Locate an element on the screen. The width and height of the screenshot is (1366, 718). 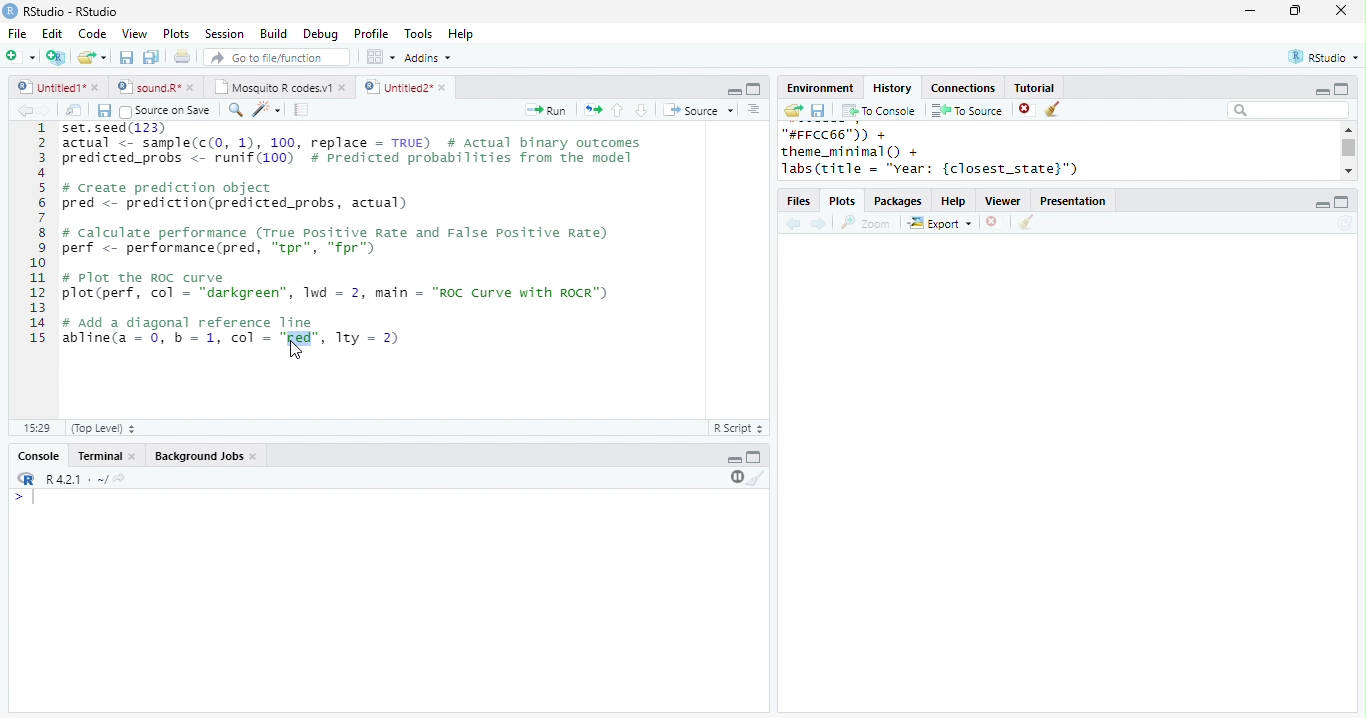
close is located at coordinates (256, 457).